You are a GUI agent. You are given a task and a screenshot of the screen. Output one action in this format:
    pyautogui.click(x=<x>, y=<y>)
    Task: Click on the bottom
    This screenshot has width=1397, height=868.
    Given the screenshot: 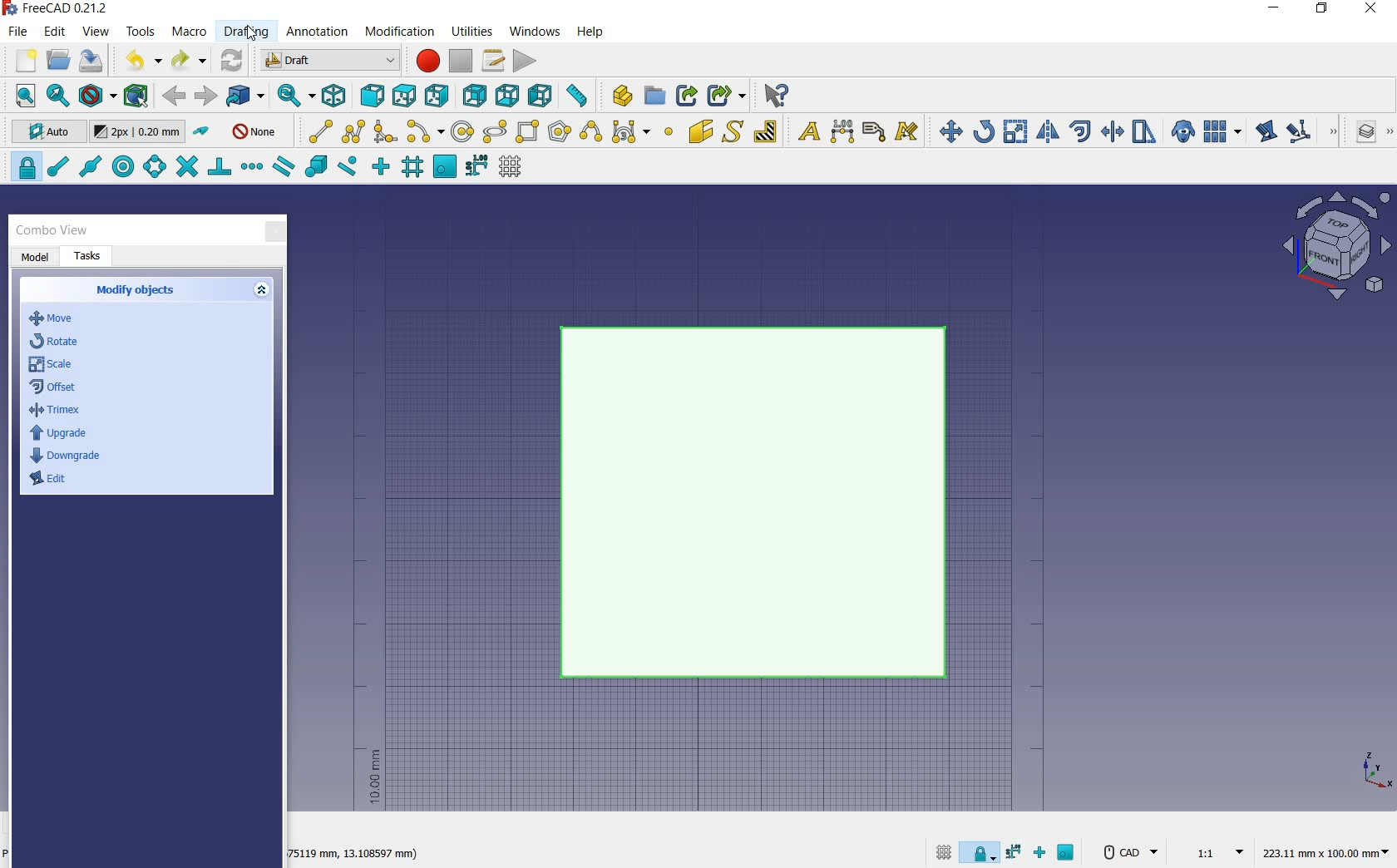 What is the action you would take?
    pyautogui.click(x=509, y=96)
    